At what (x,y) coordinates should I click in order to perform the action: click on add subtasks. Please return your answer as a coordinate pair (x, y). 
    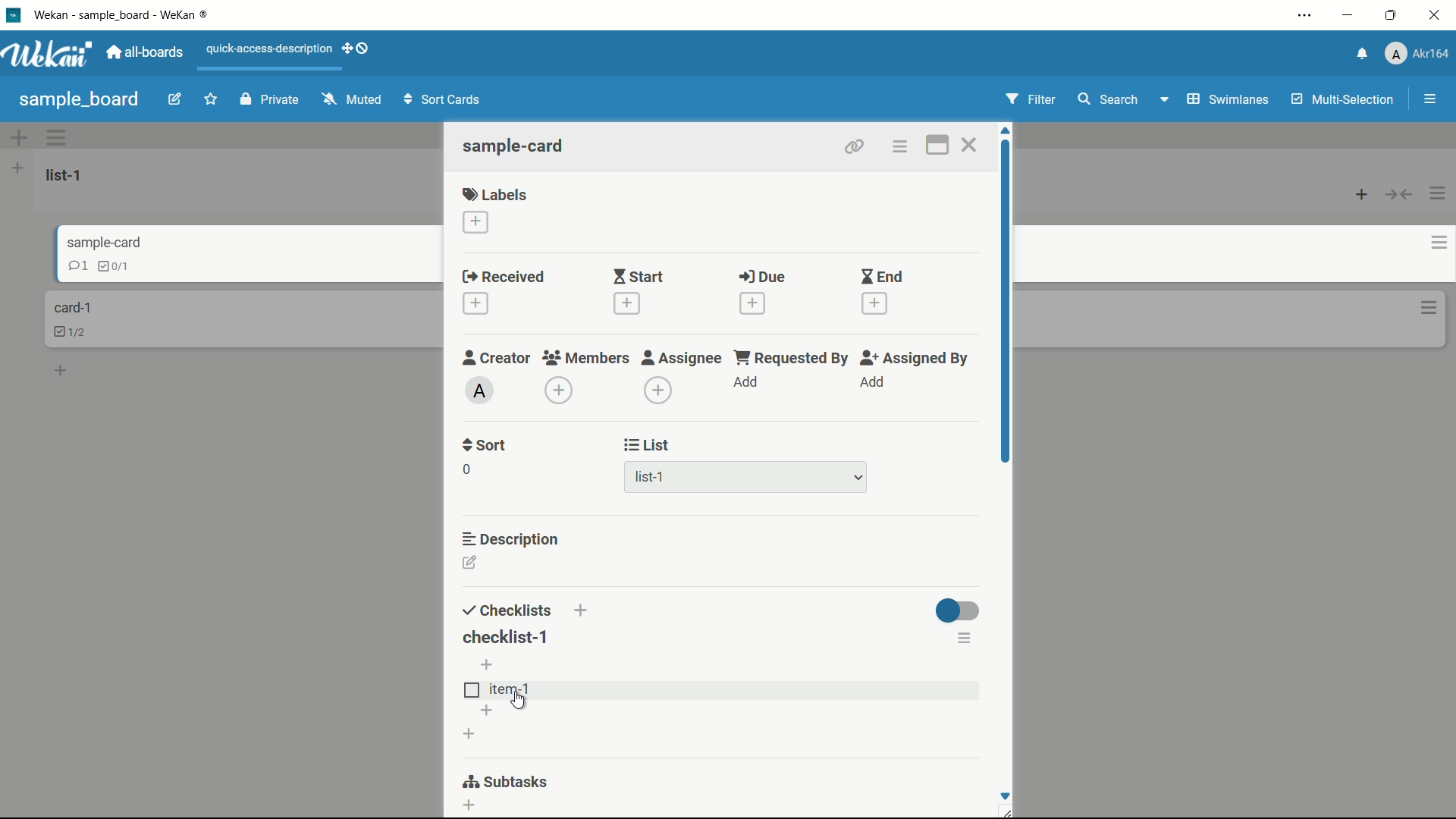
    Looking at the image, I should click on (470, 803).